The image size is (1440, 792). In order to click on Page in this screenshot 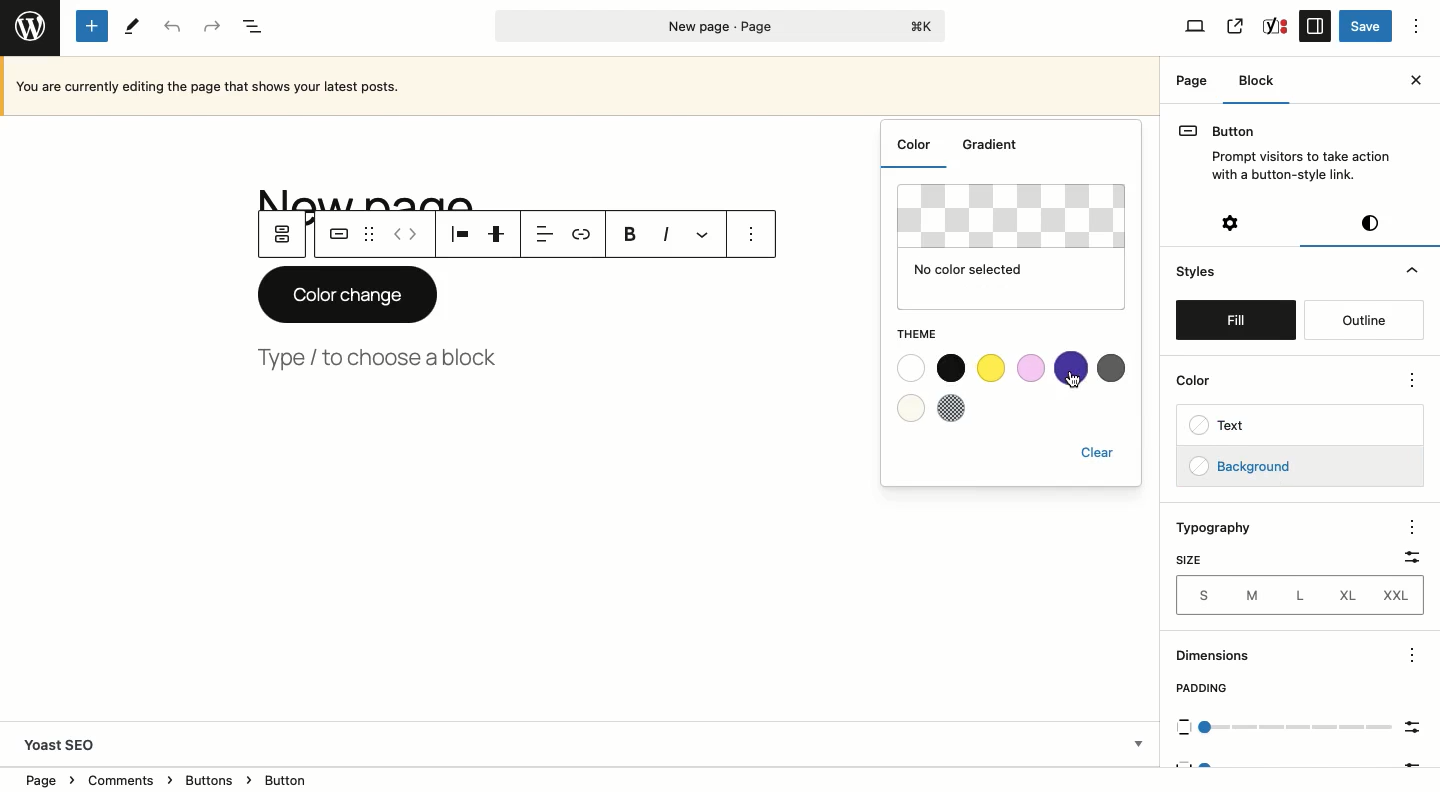, I will do `click(721, 26)`.